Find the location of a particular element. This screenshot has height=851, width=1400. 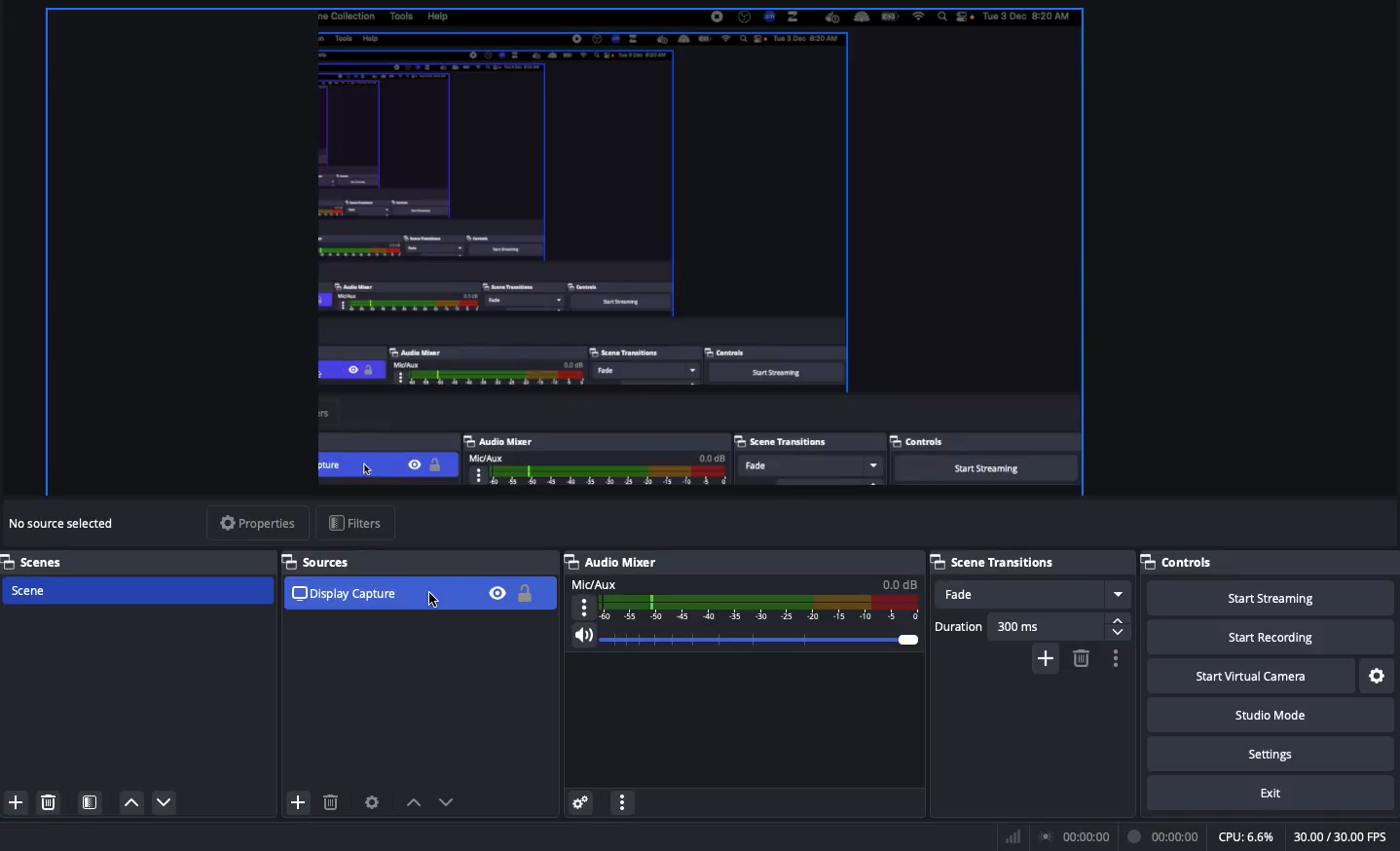

Audio preferences is located at coordinates (584, 803).